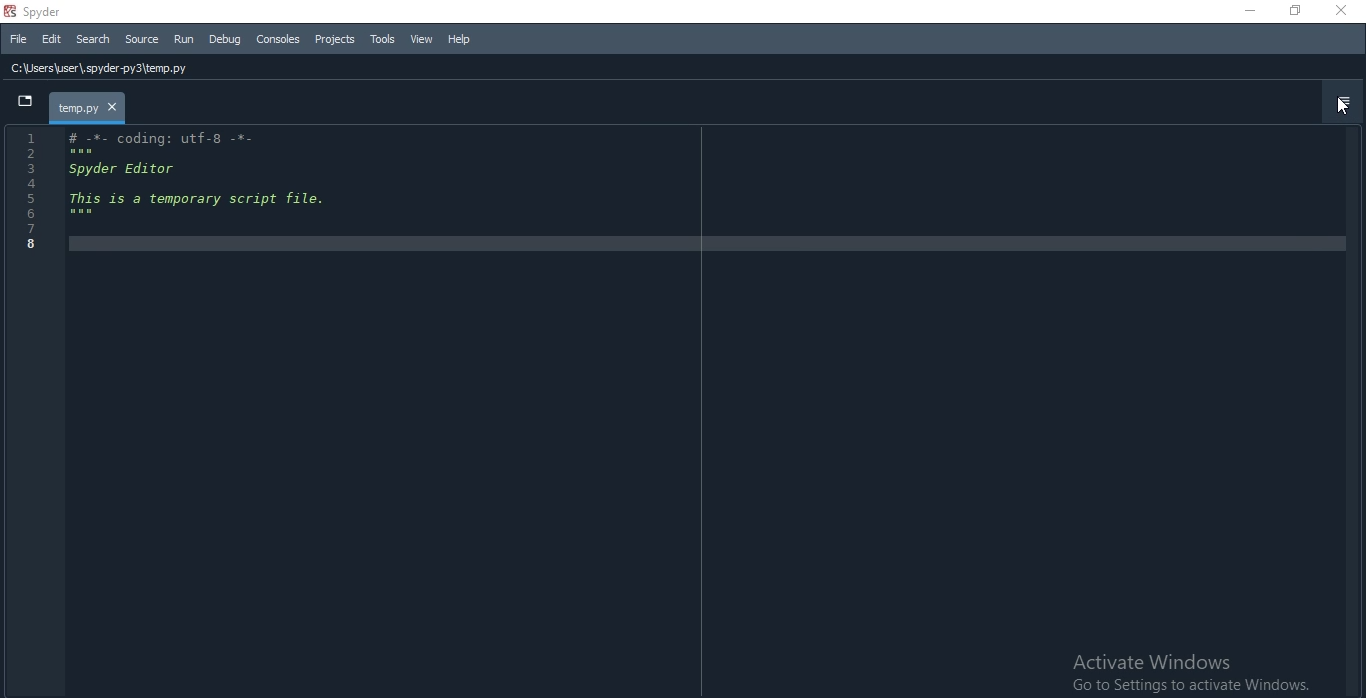 The width and height of the screenshot is (1366, 698). I want to click on history, so click(304, 66).